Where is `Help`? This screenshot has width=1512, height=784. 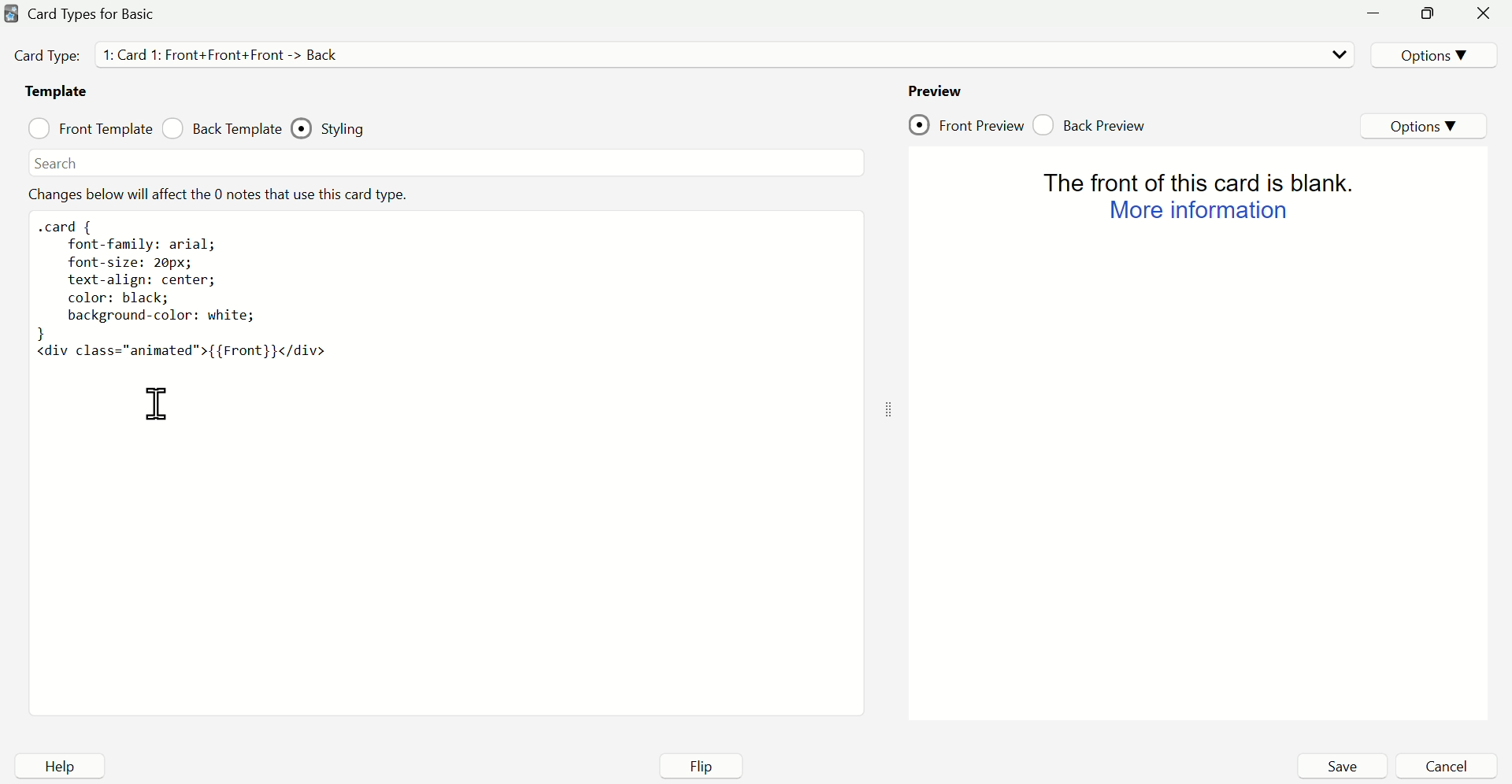 Help is located at coordinates (57, 767).